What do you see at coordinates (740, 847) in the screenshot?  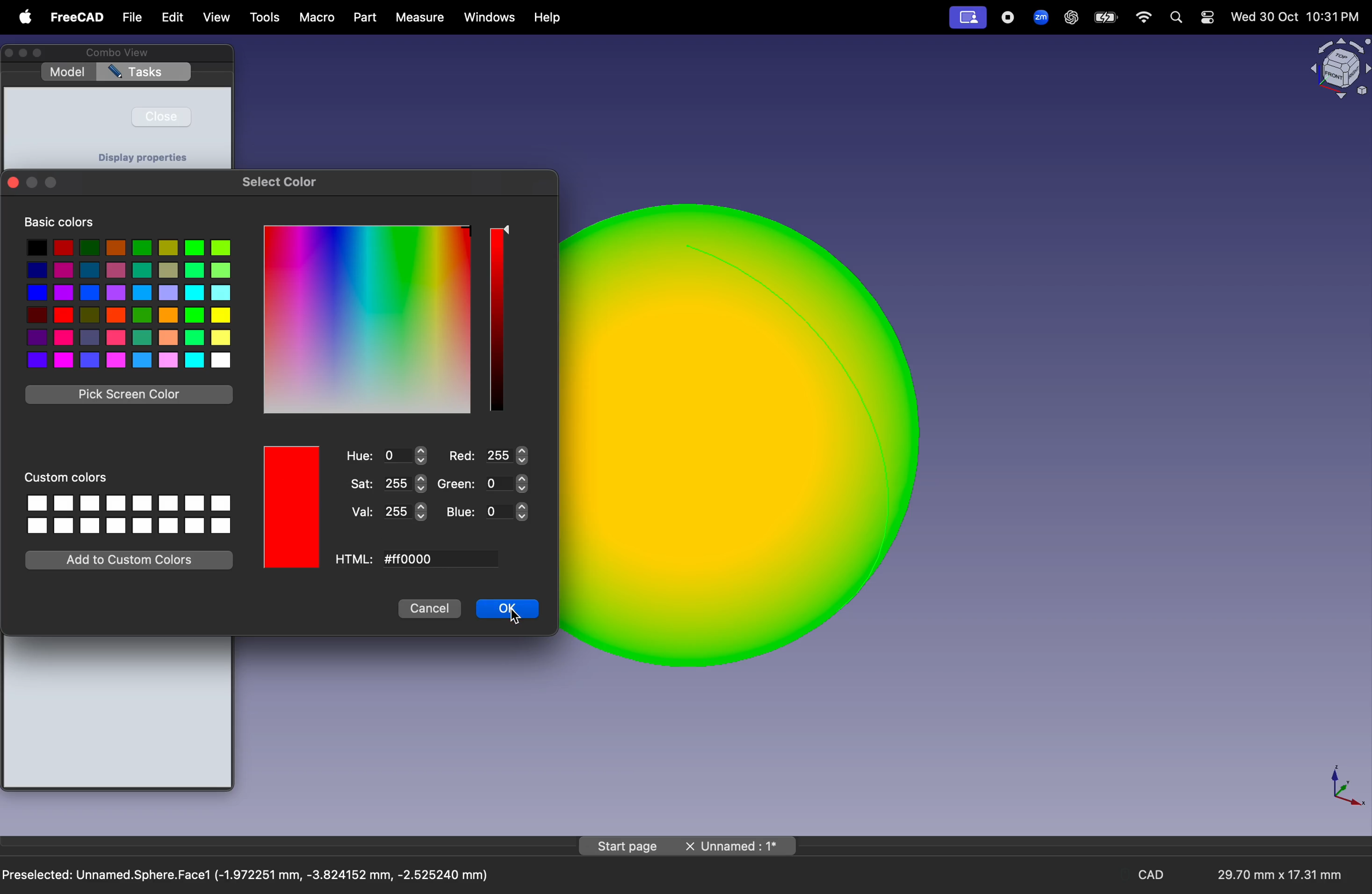 I see `unnamed` at bounding box center [740, 847].